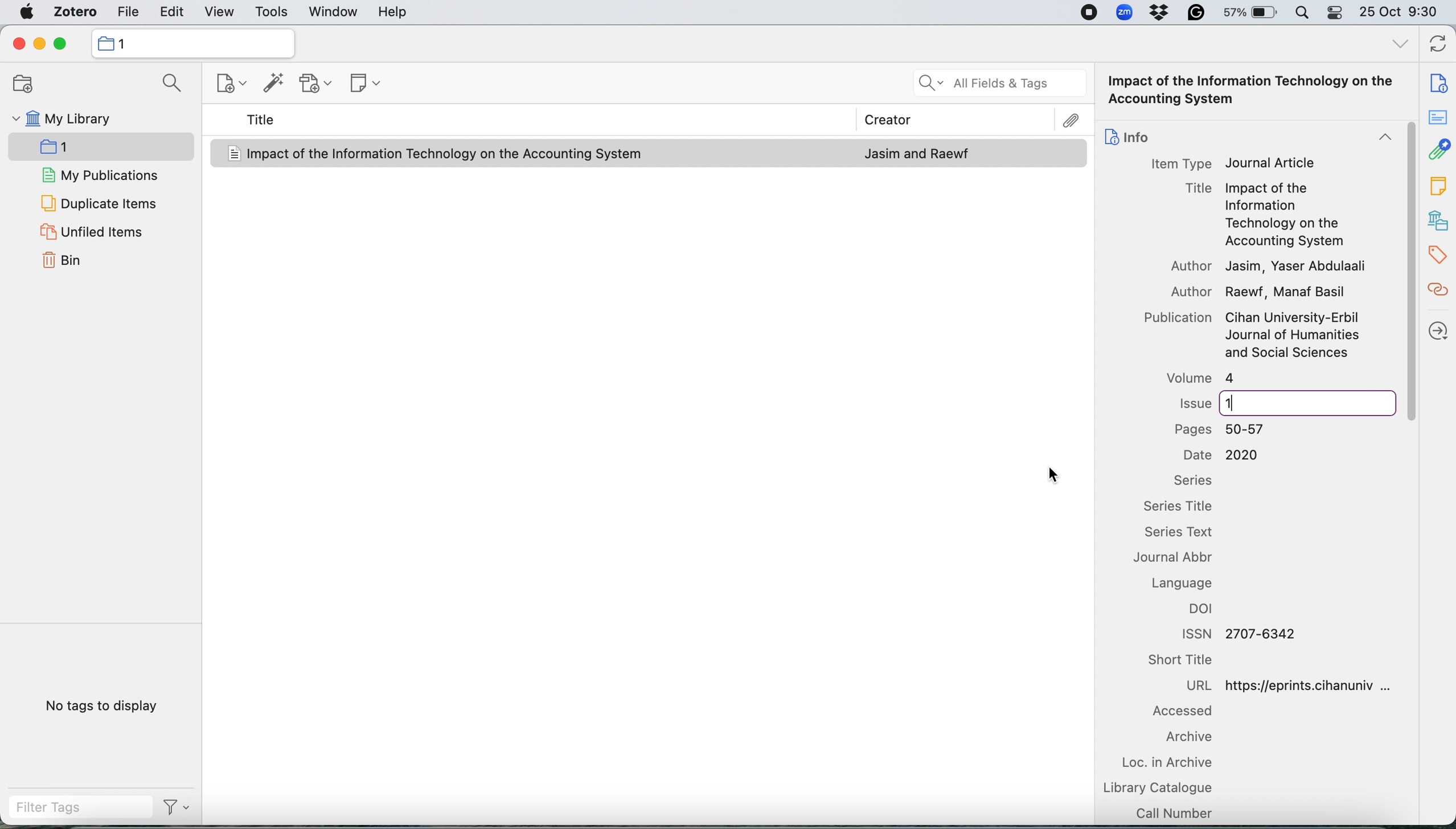 This screenshot has width=1456, height=829. I want to click on 25 Oct 9:30, so click(1402, 13).